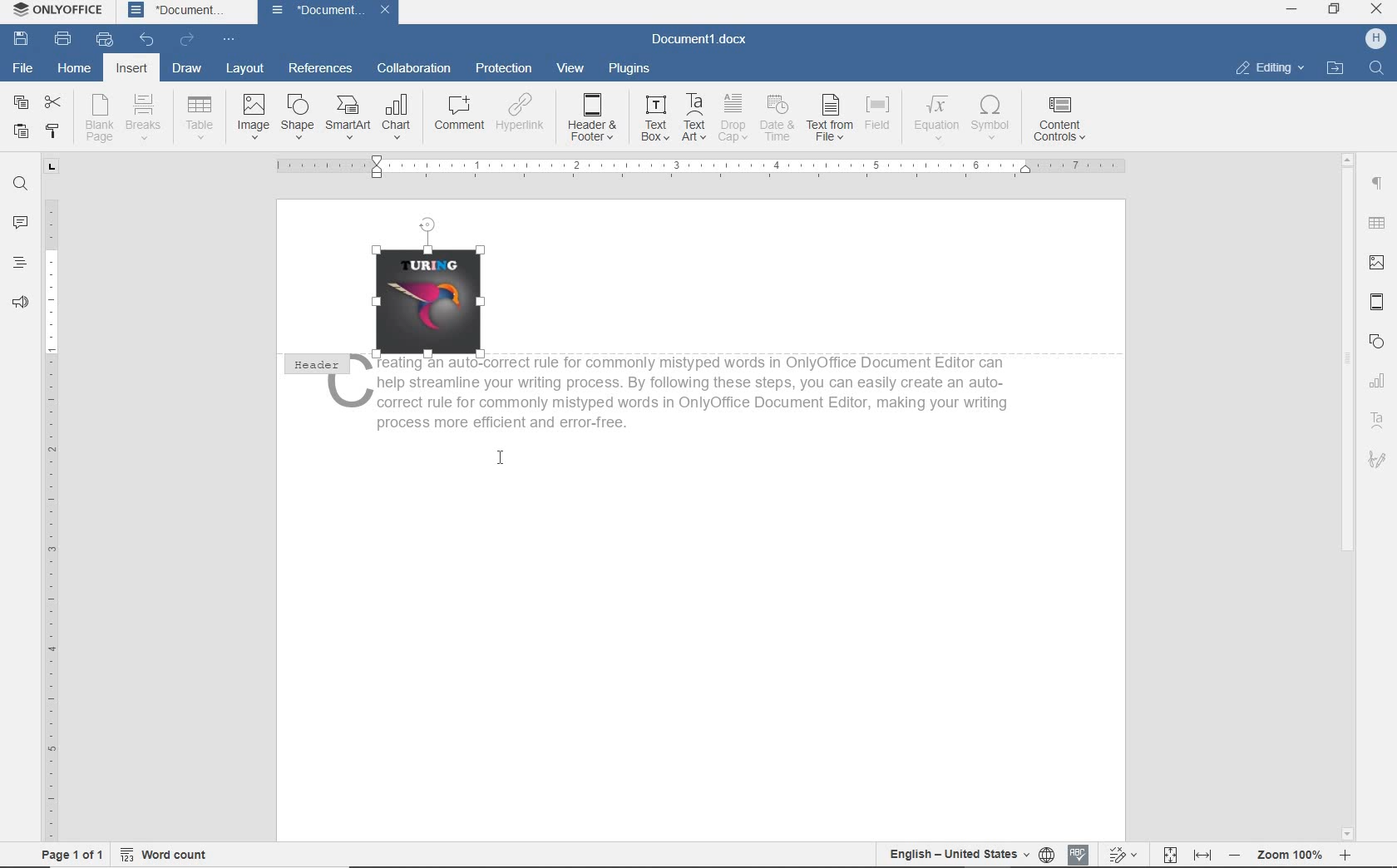  What do you see at coordinates (323, 70) in the screenshot?
I see `REFERENCES` at bounding box center [323, 70].